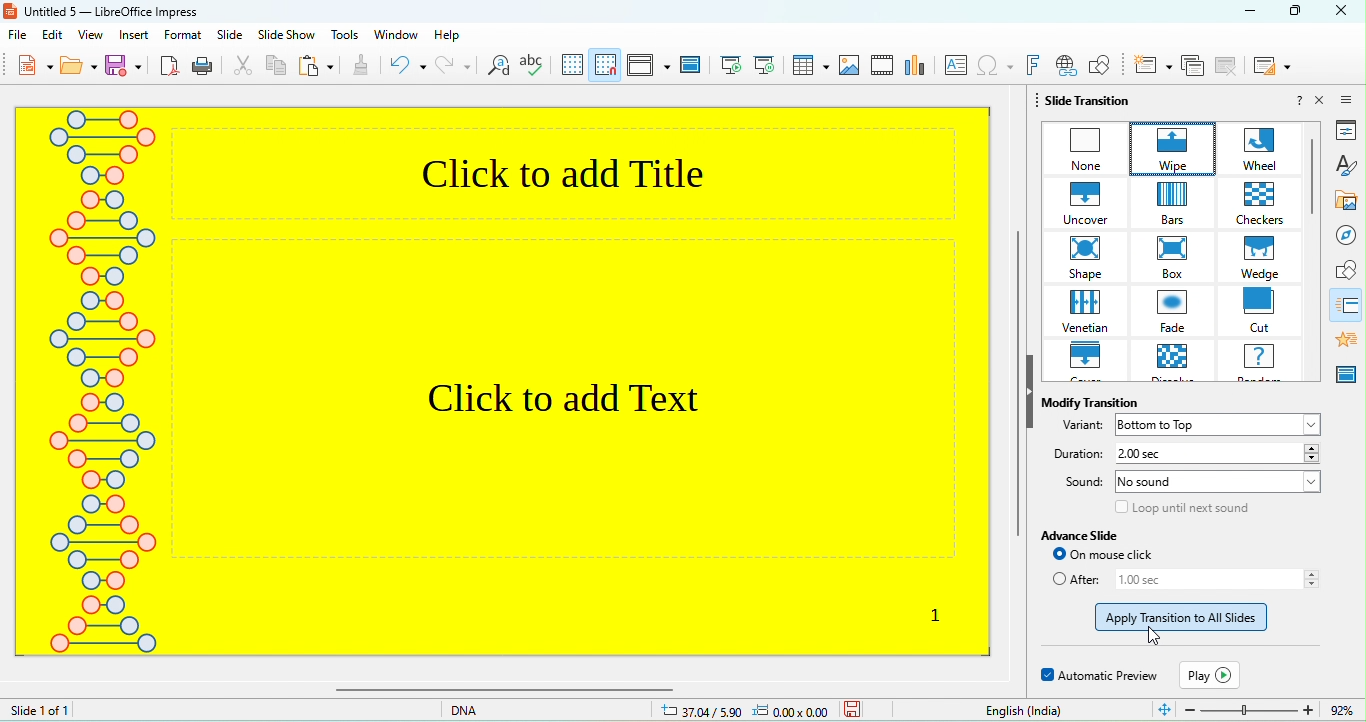  I want to click on annimation, so click(1347, 334).